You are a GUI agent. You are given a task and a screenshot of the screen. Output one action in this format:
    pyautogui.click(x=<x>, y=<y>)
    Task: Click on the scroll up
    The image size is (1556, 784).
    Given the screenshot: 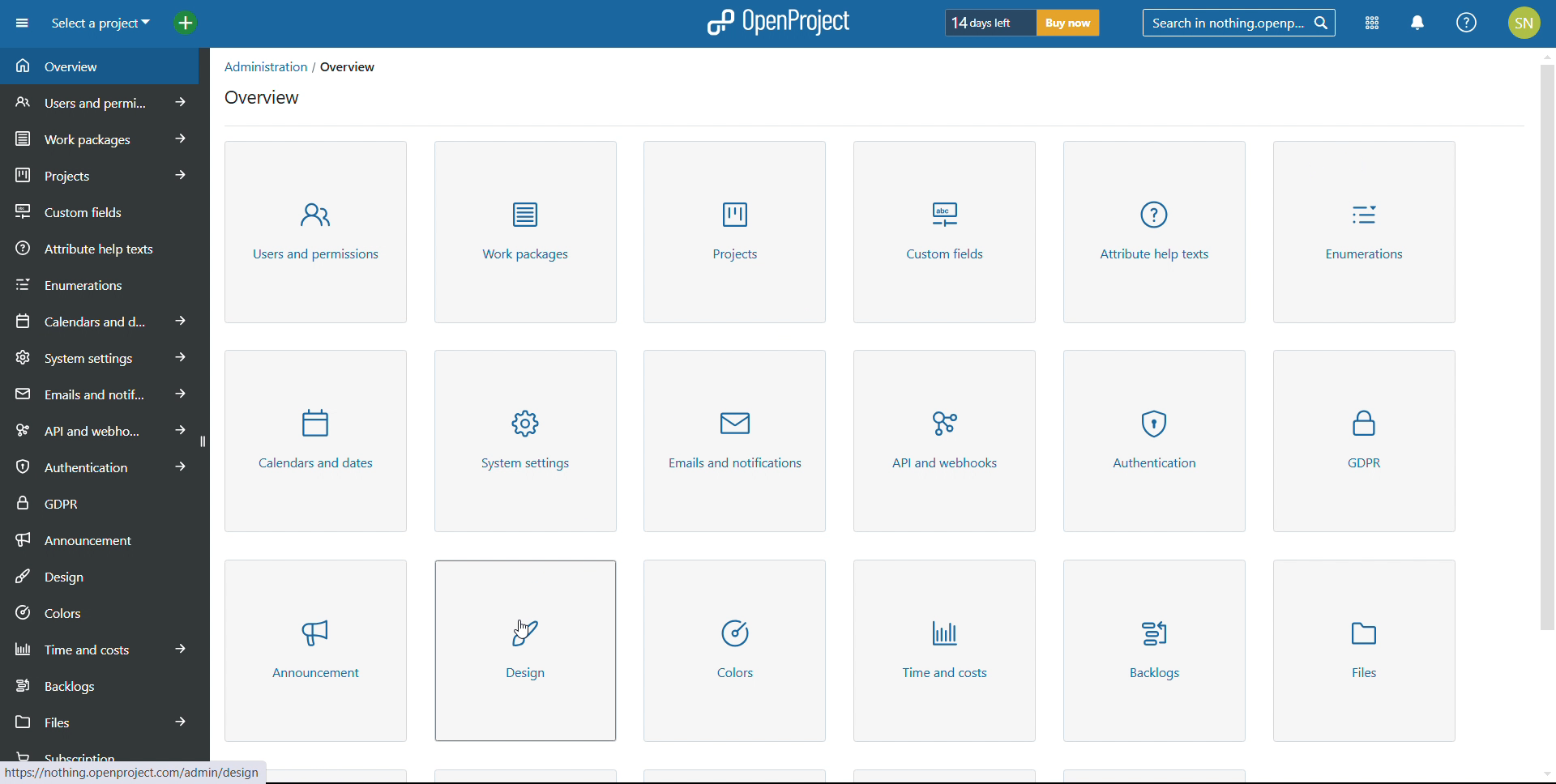 What is the action you would take?
    pyautogui.click(x=1546, y=53)
    